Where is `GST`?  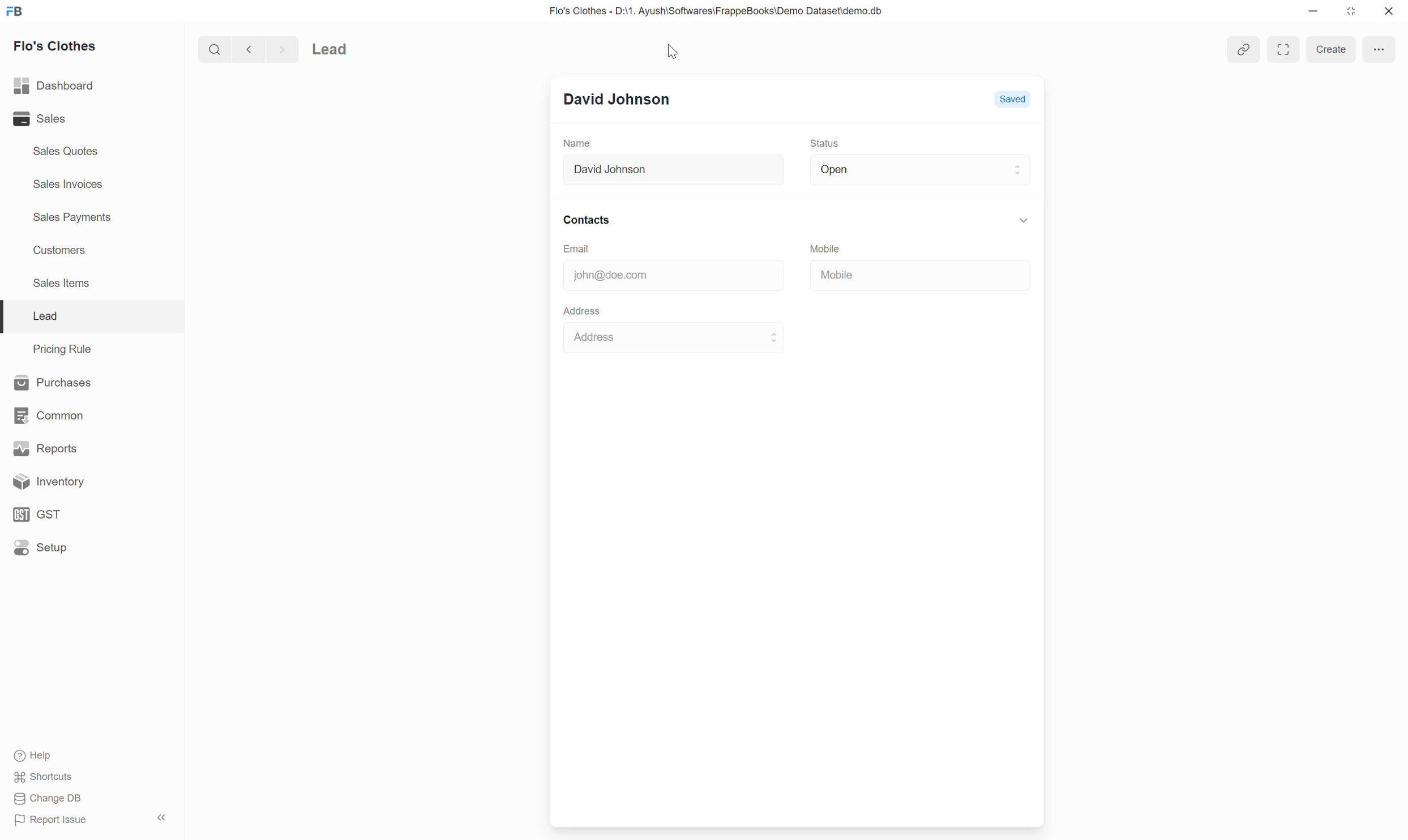 GST is located at coordinates (39, 515).